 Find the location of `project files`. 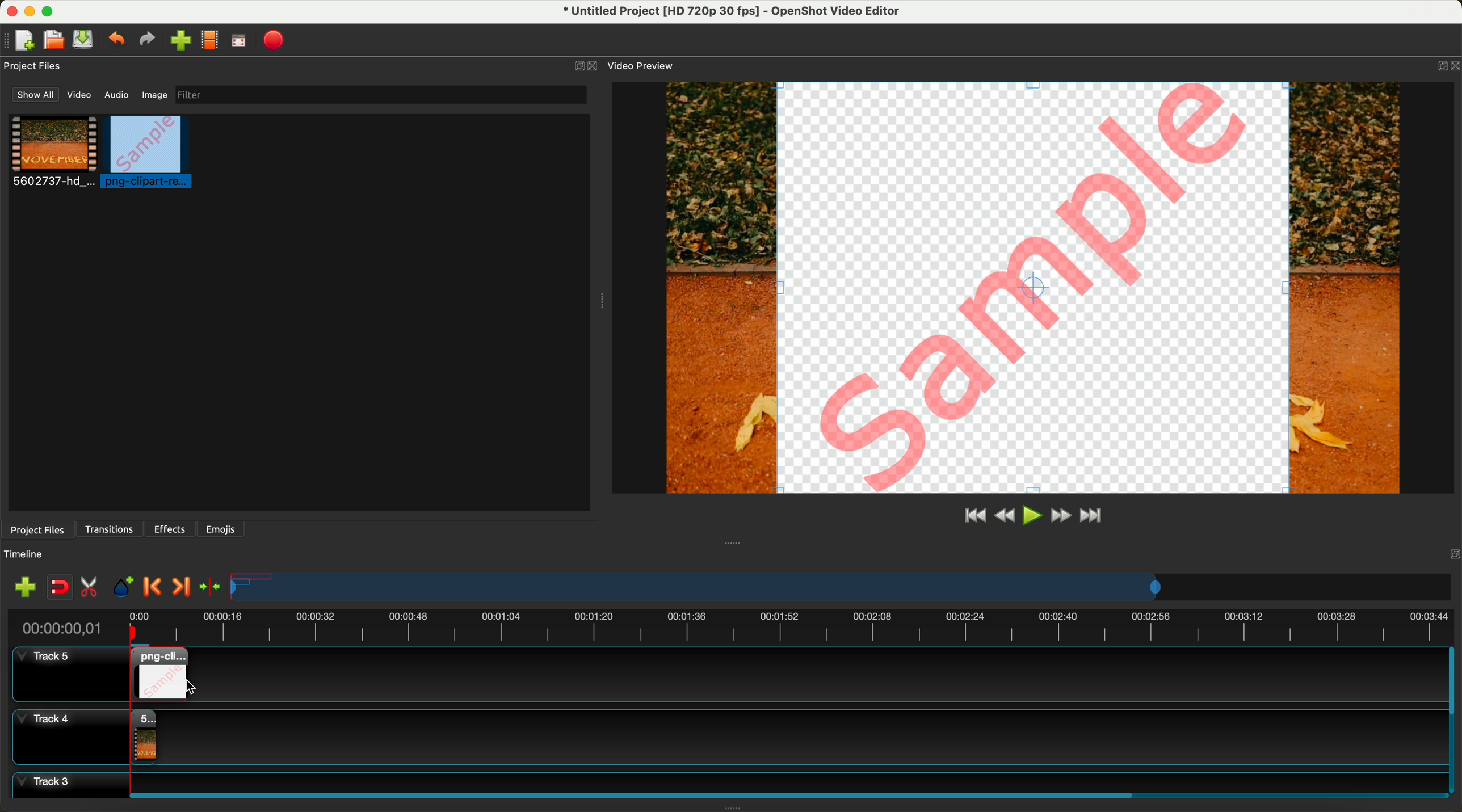

project files is located at coordinates (36, 529).